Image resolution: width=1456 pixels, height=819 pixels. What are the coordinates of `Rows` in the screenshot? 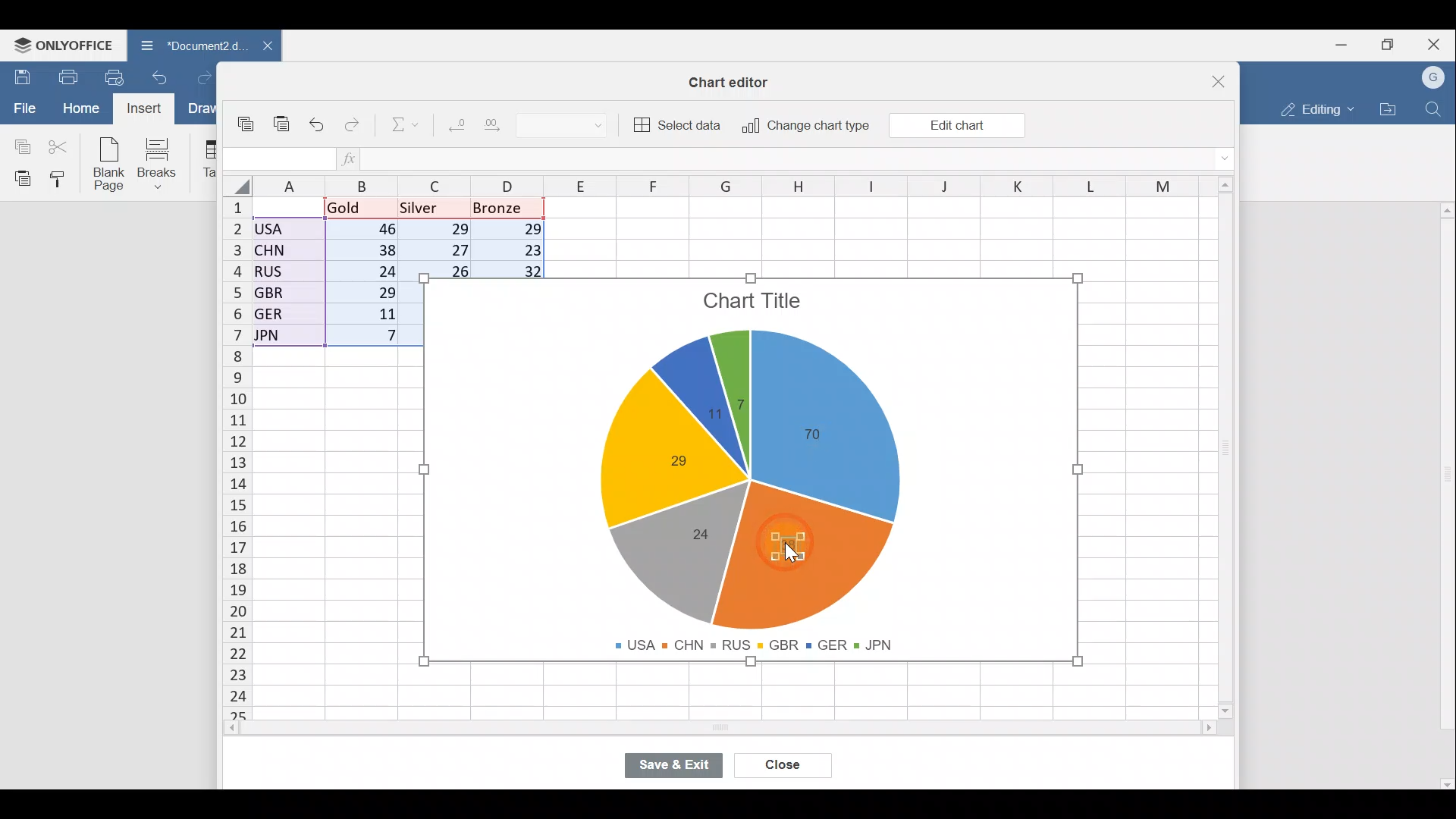 It's located at (237, 449).